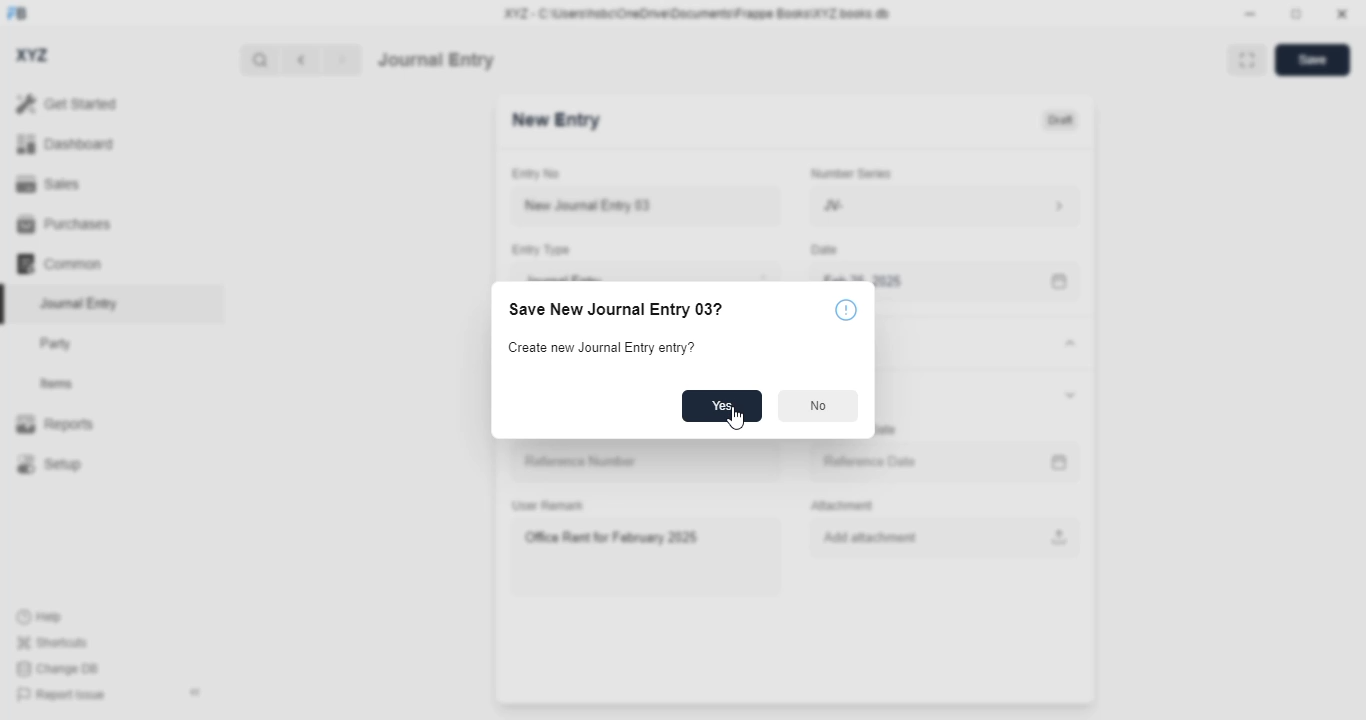 The image size is (1366, 720). Describe the element at coordinates (1067, 393) in the screenshot. I see `toggle expand/collapse` at that location.